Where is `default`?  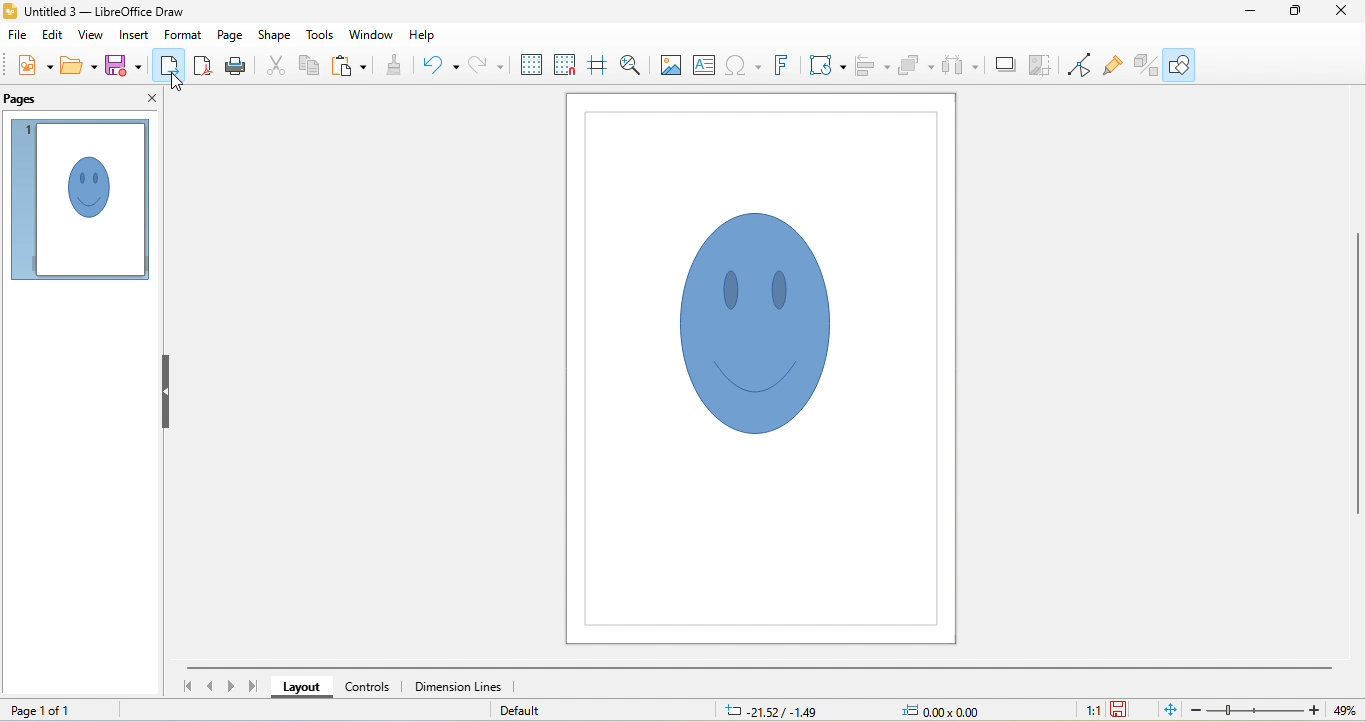 default is located at coordinates (518, 706).